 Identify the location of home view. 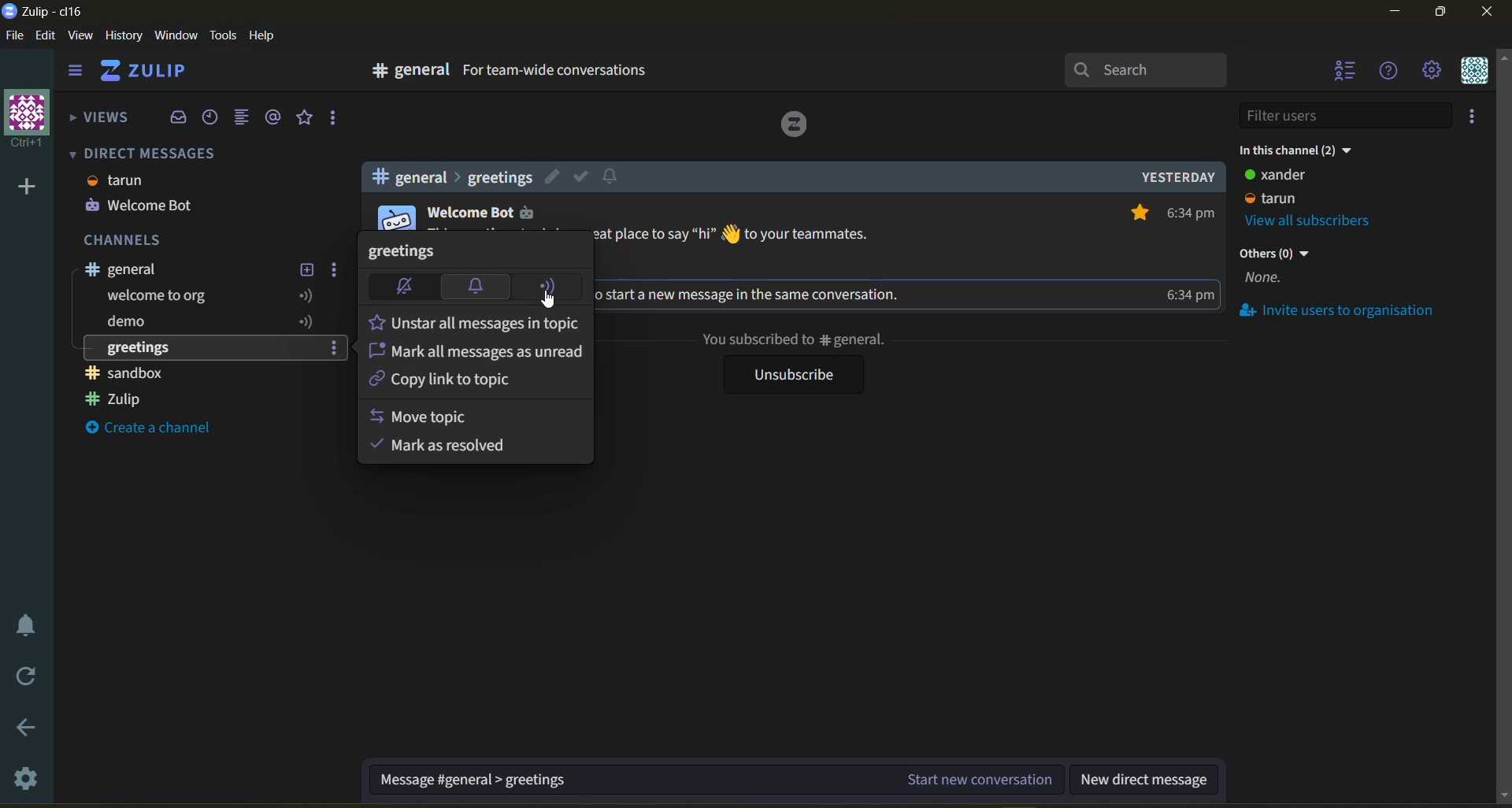
(147, 72).